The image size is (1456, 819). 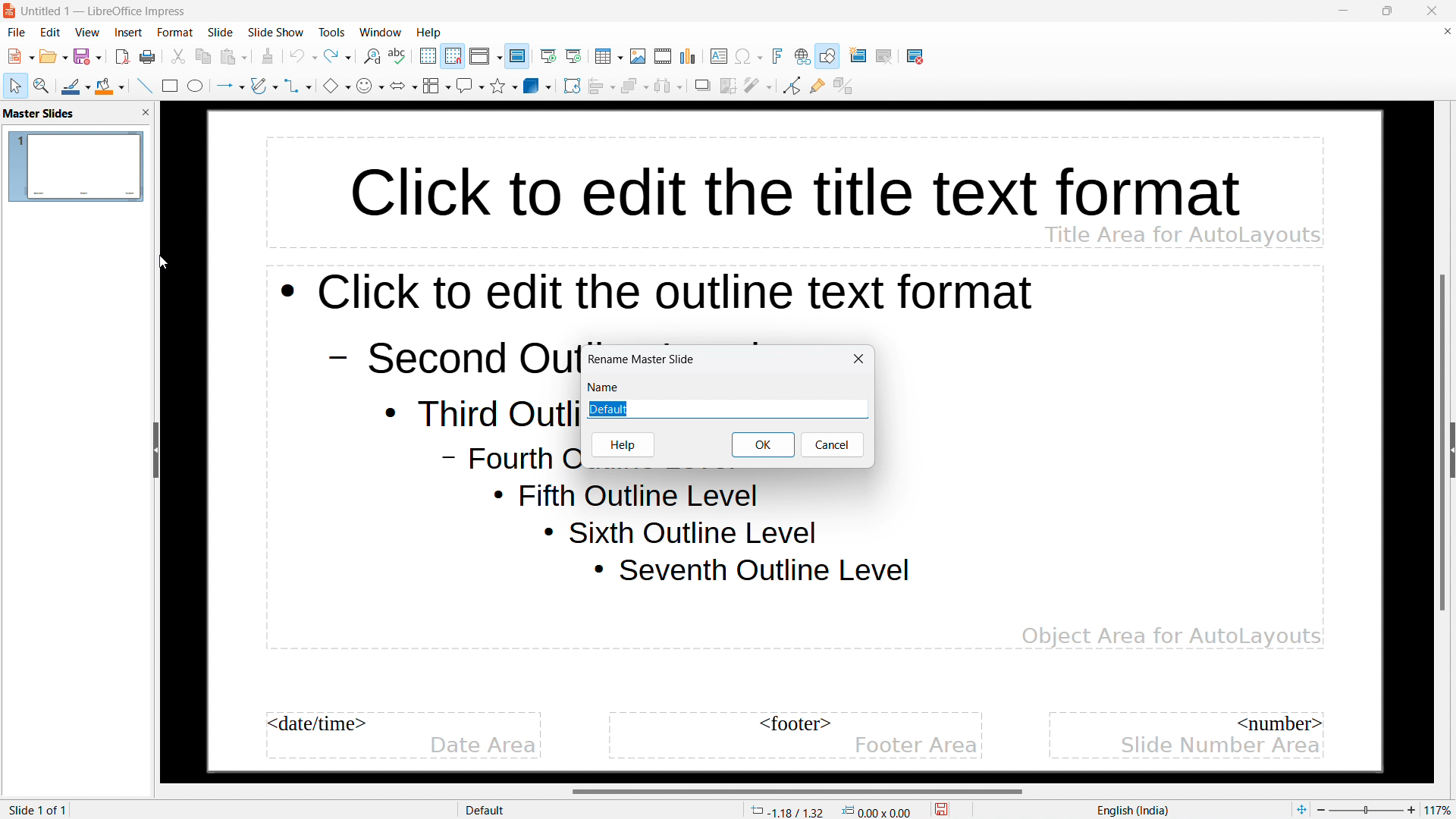 I want to click on slide number area, so click(x=1217, y=746).